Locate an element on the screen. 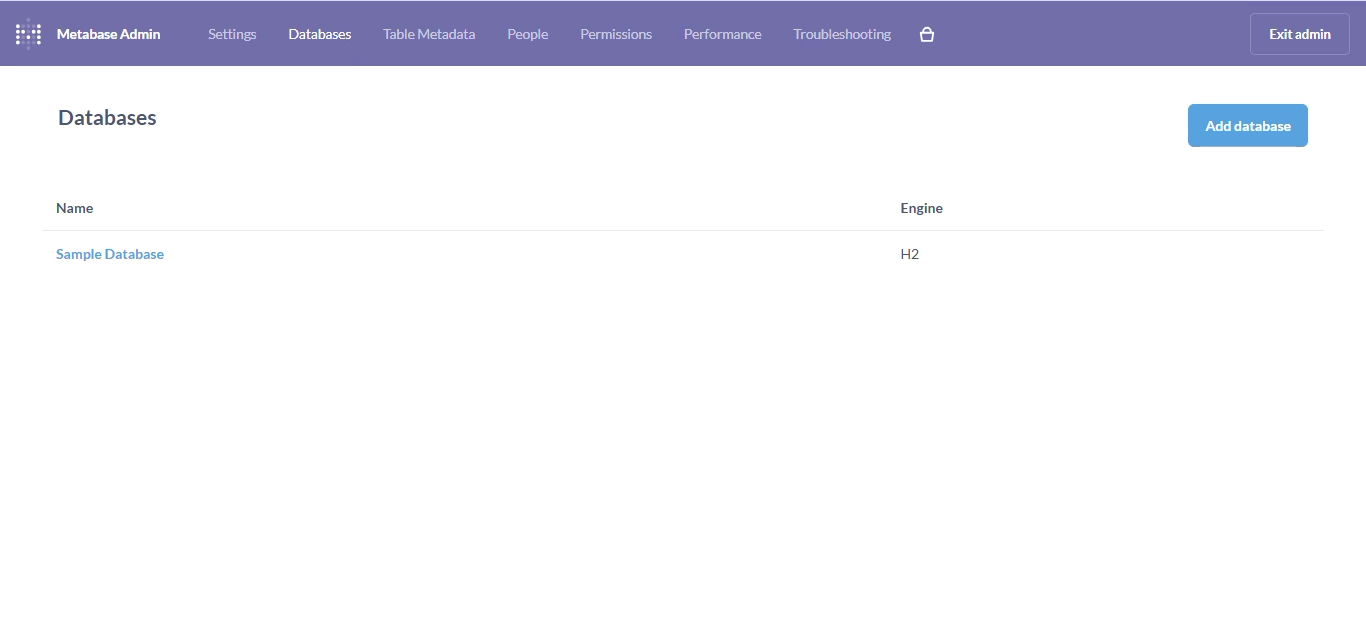 The width and height of the screenshot is (1366, 634). explore paid features is located at coordinates (927, 35).